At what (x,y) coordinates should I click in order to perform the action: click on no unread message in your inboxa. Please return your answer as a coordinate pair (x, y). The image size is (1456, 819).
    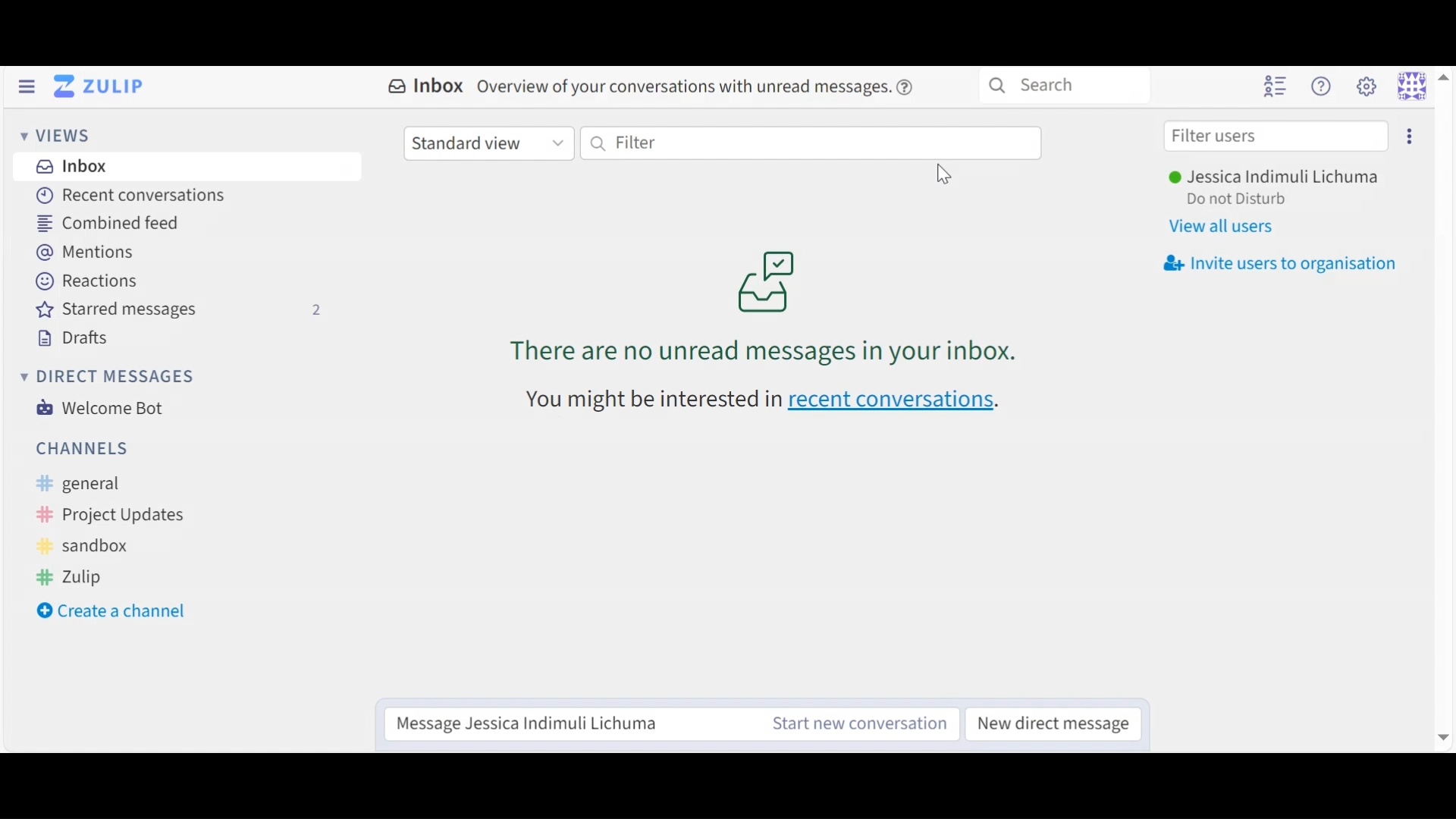
    Looking at the image, I should click on (770, 309).